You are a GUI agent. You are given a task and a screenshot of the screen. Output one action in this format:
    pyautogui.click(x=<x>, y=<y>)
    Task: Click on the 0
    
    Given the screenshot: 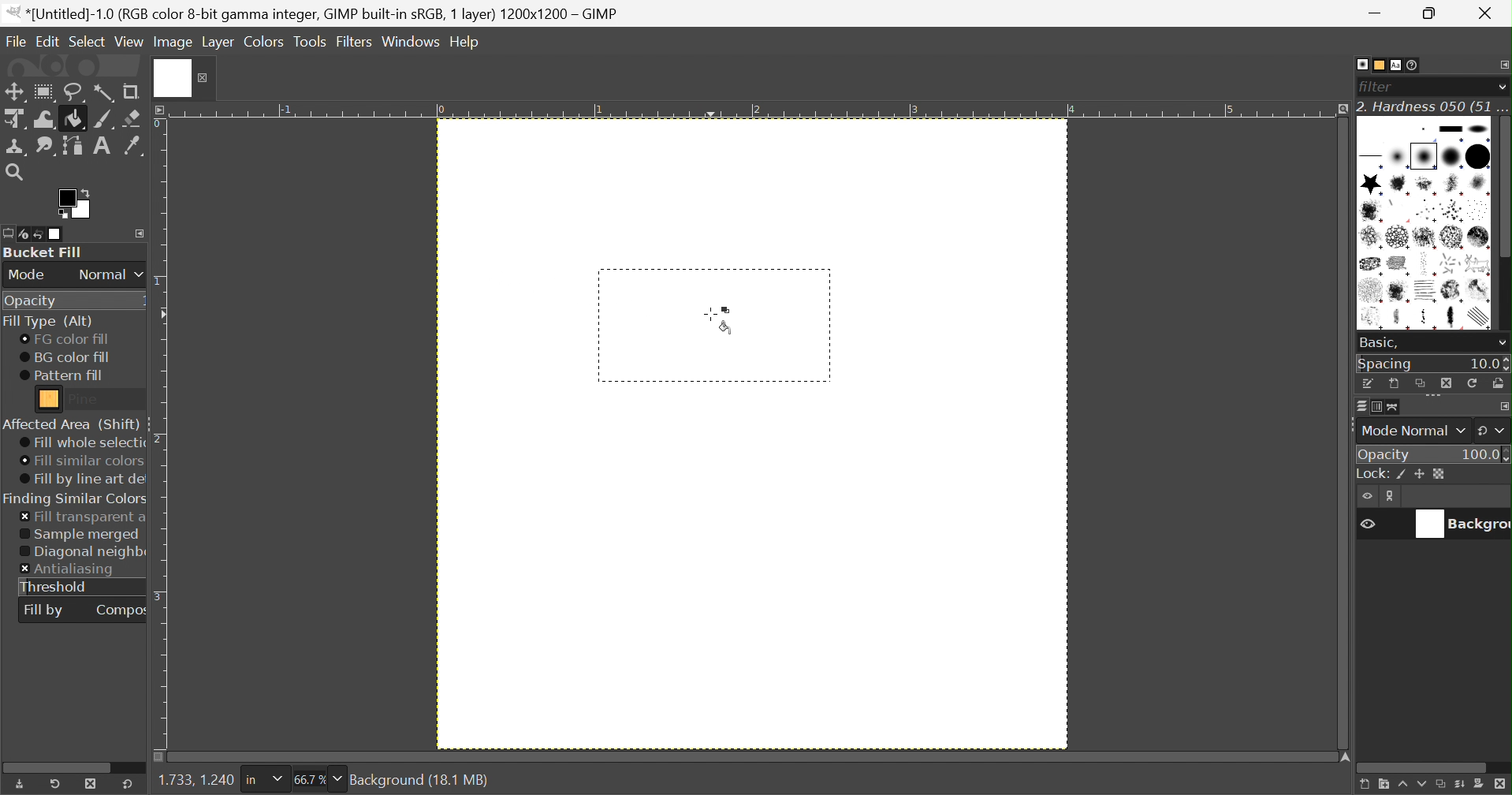 What is the action you would take?
    pyautogui.click(x=440, y=111)
    